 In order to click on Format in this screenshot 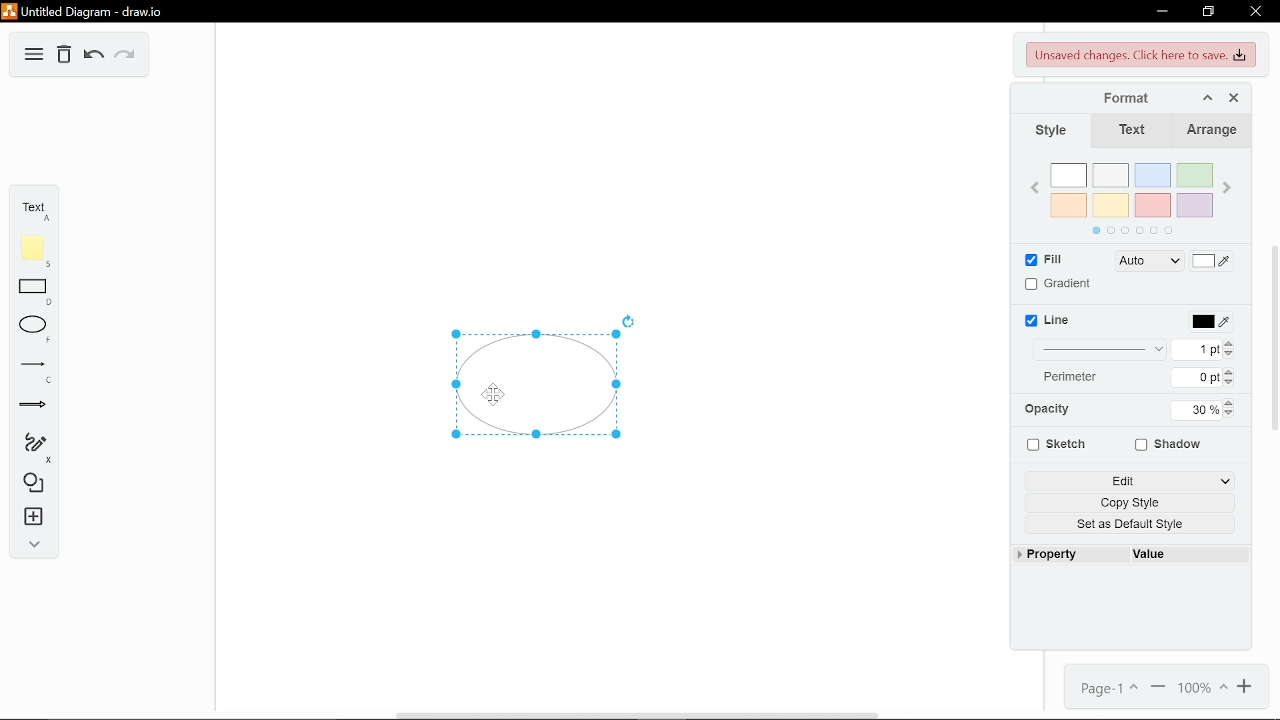, I will do `click(1100, 95)`.